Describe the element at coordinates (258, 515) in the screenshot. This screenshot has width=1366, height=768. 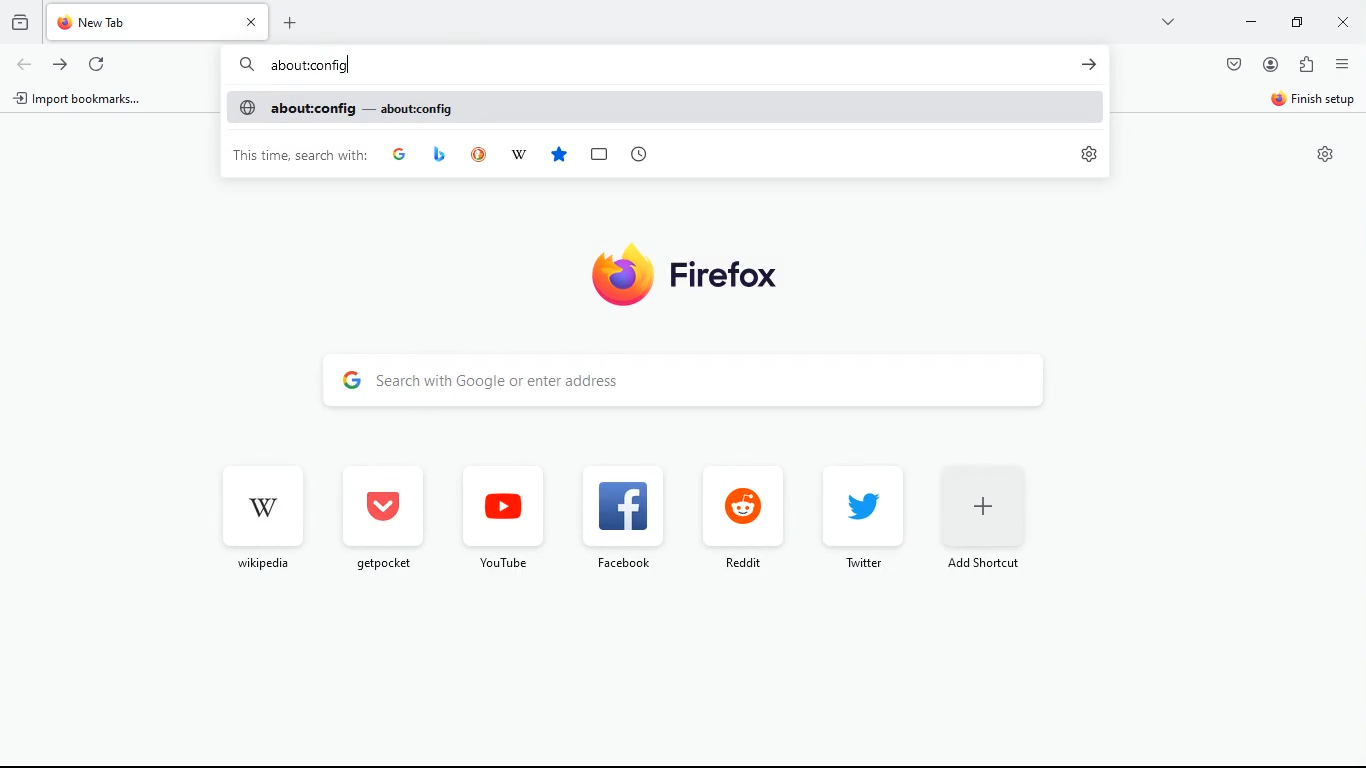
I see `wikipedia` at that location.